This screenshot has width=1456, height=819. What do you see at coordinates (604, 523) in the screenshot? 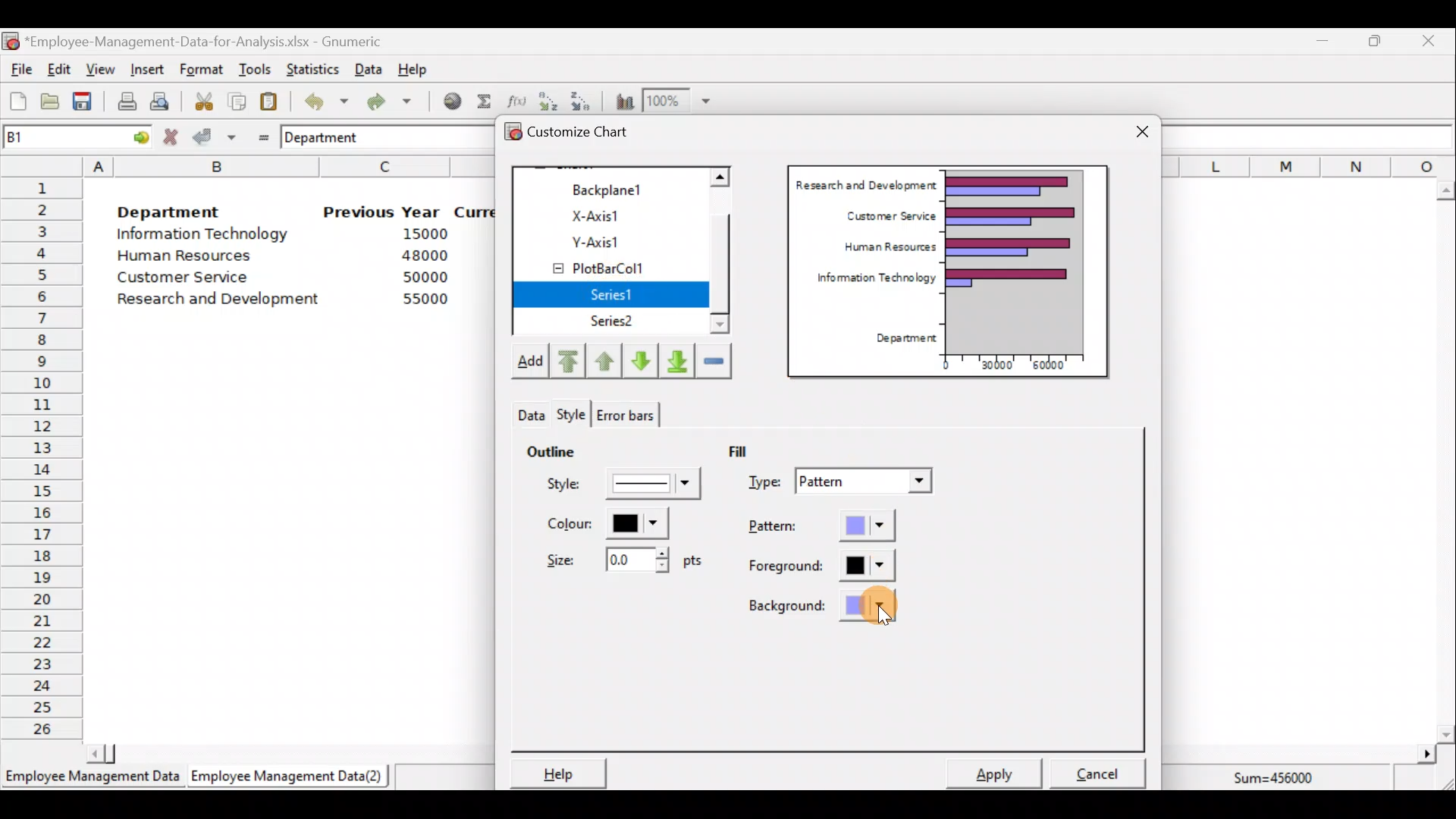
I see `Color` at bounding box center [604, 523].